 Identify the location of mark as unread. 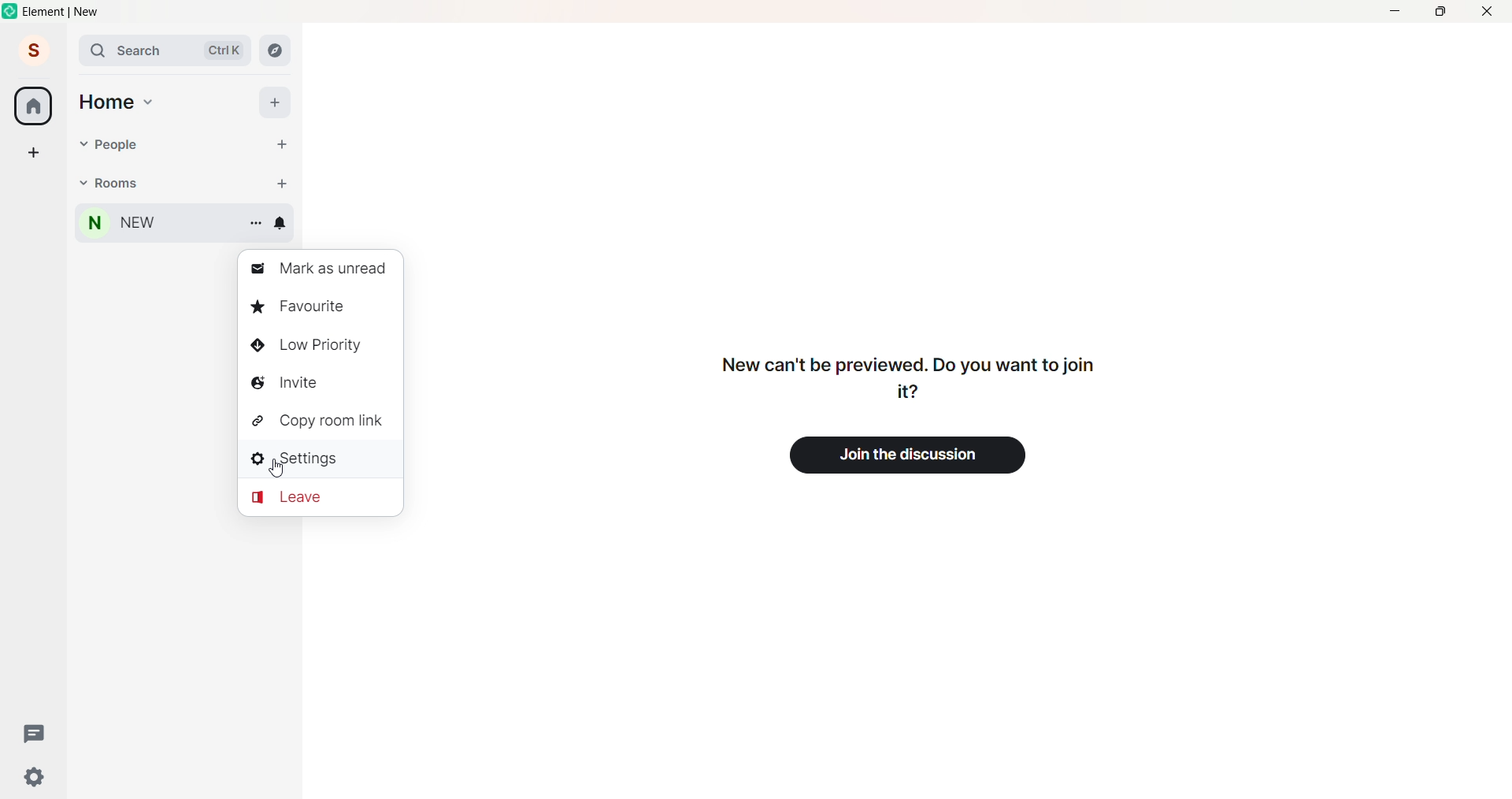
(324, 266).